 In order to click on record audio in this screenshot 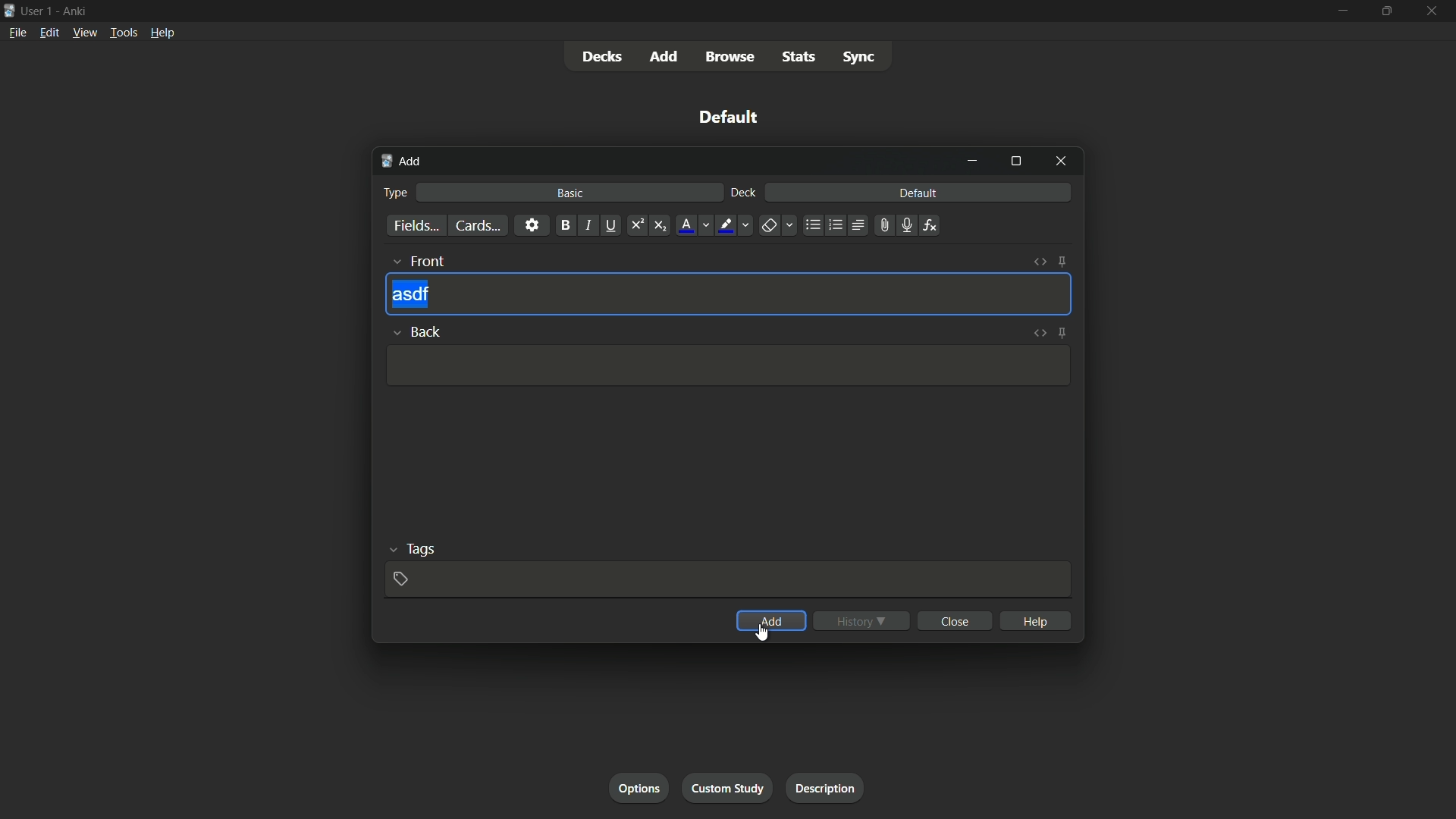, I will do `click(908, 224)`.